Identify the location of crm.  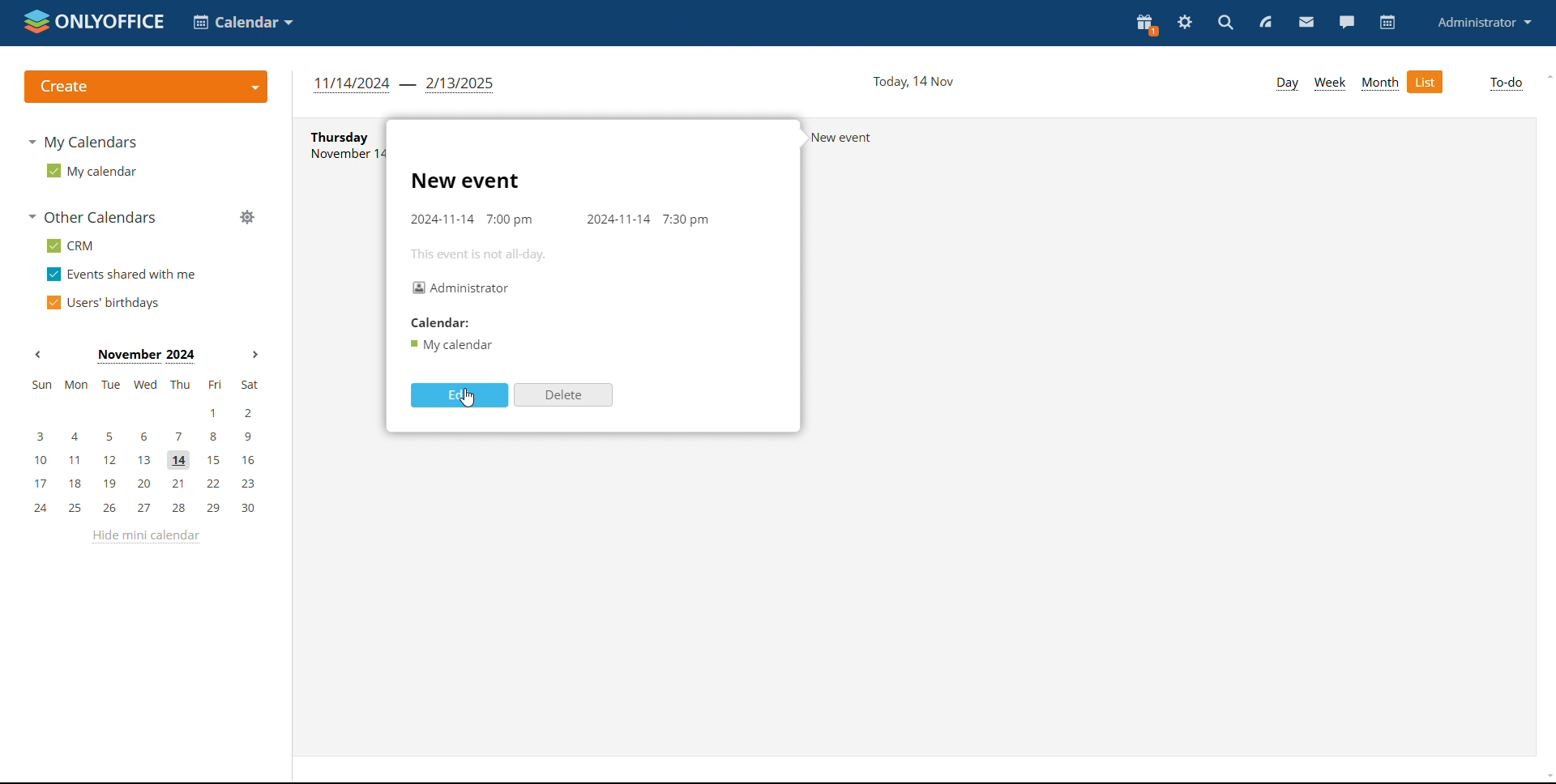
(68, 245).